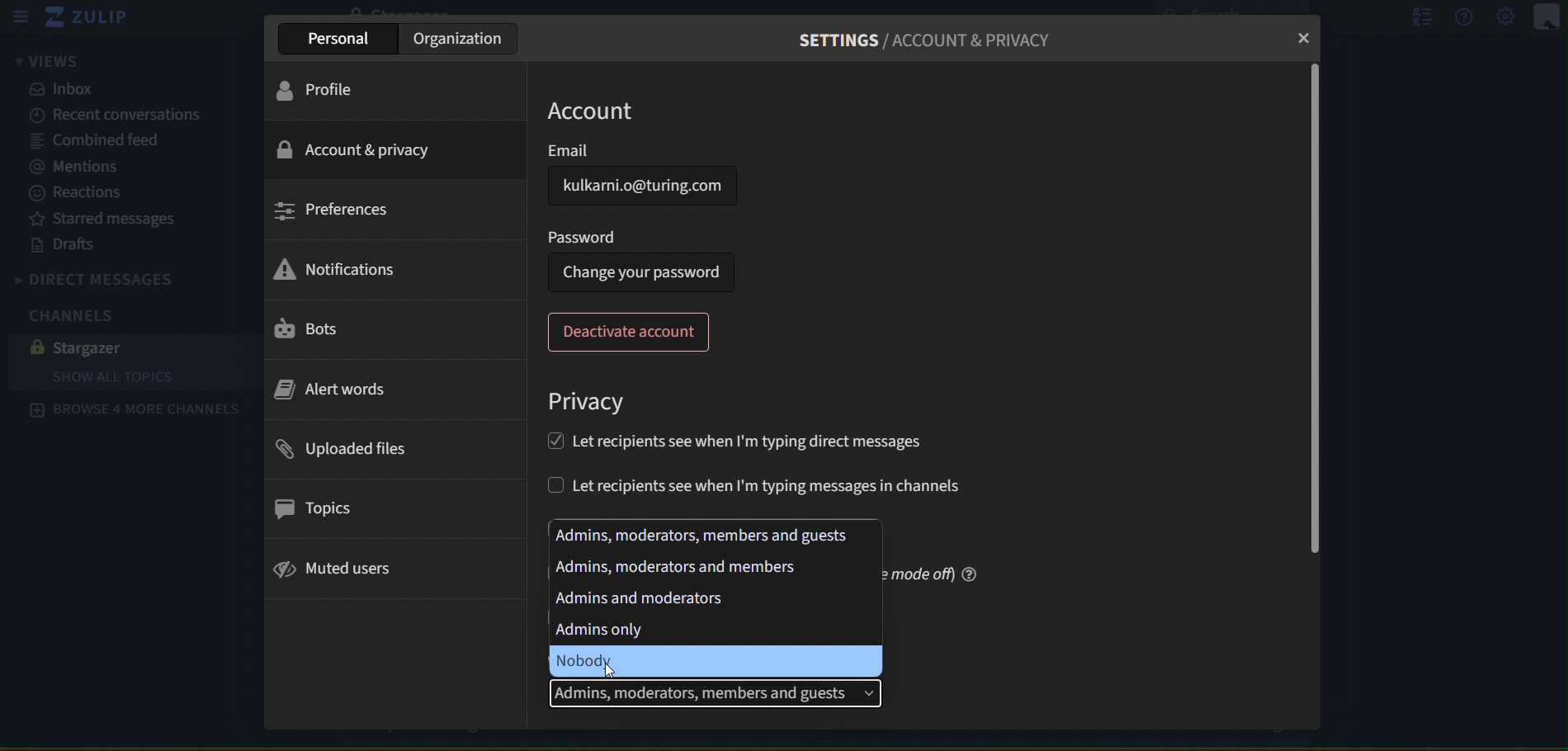 This screenshot has width=1568, height=751. What do you see at coordinates (134, 410) in the screenshot?
I see `browse 4 more channels` at bounding box center [134, 410].